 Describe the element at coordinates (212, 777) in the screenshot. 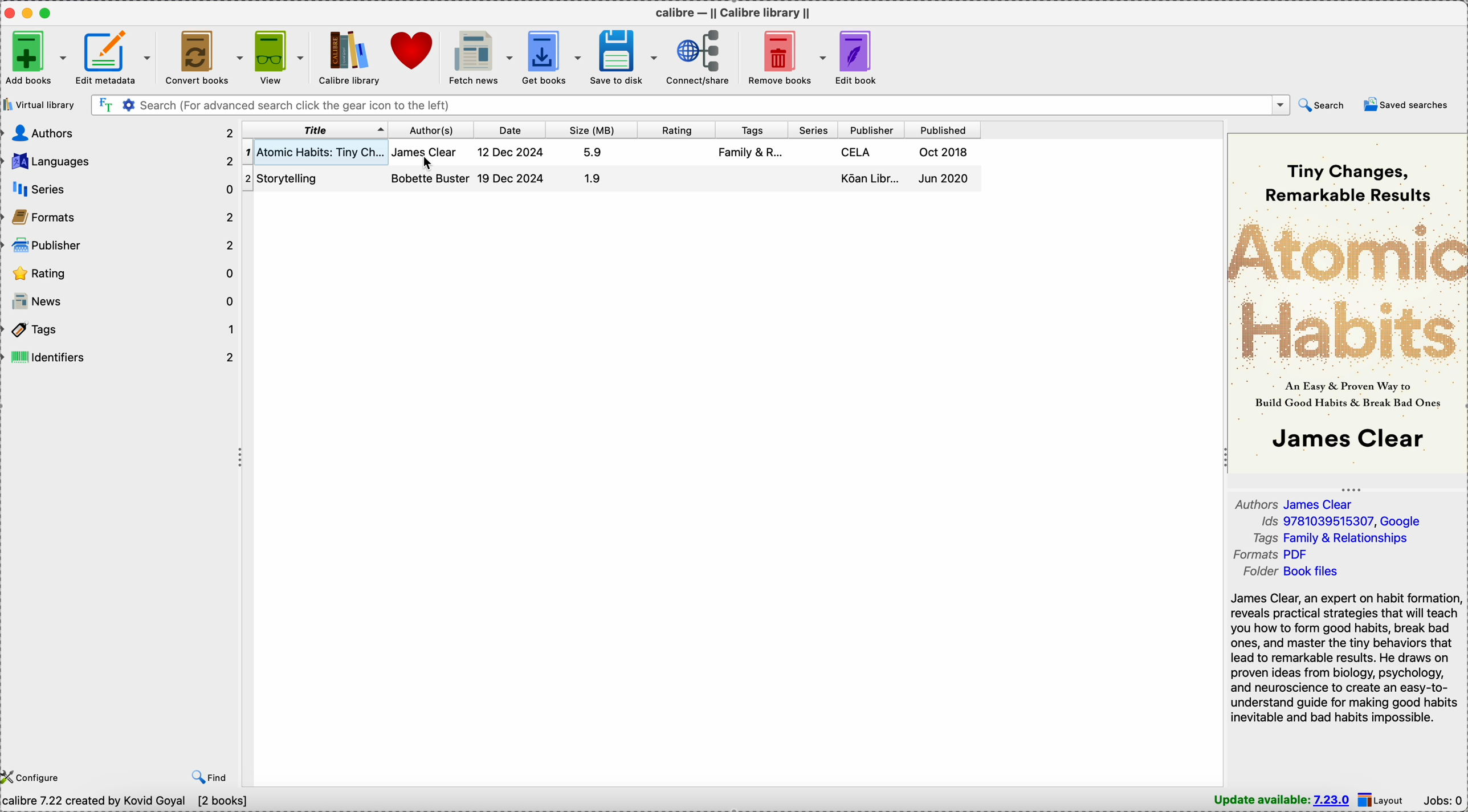

I see `find` at that location.